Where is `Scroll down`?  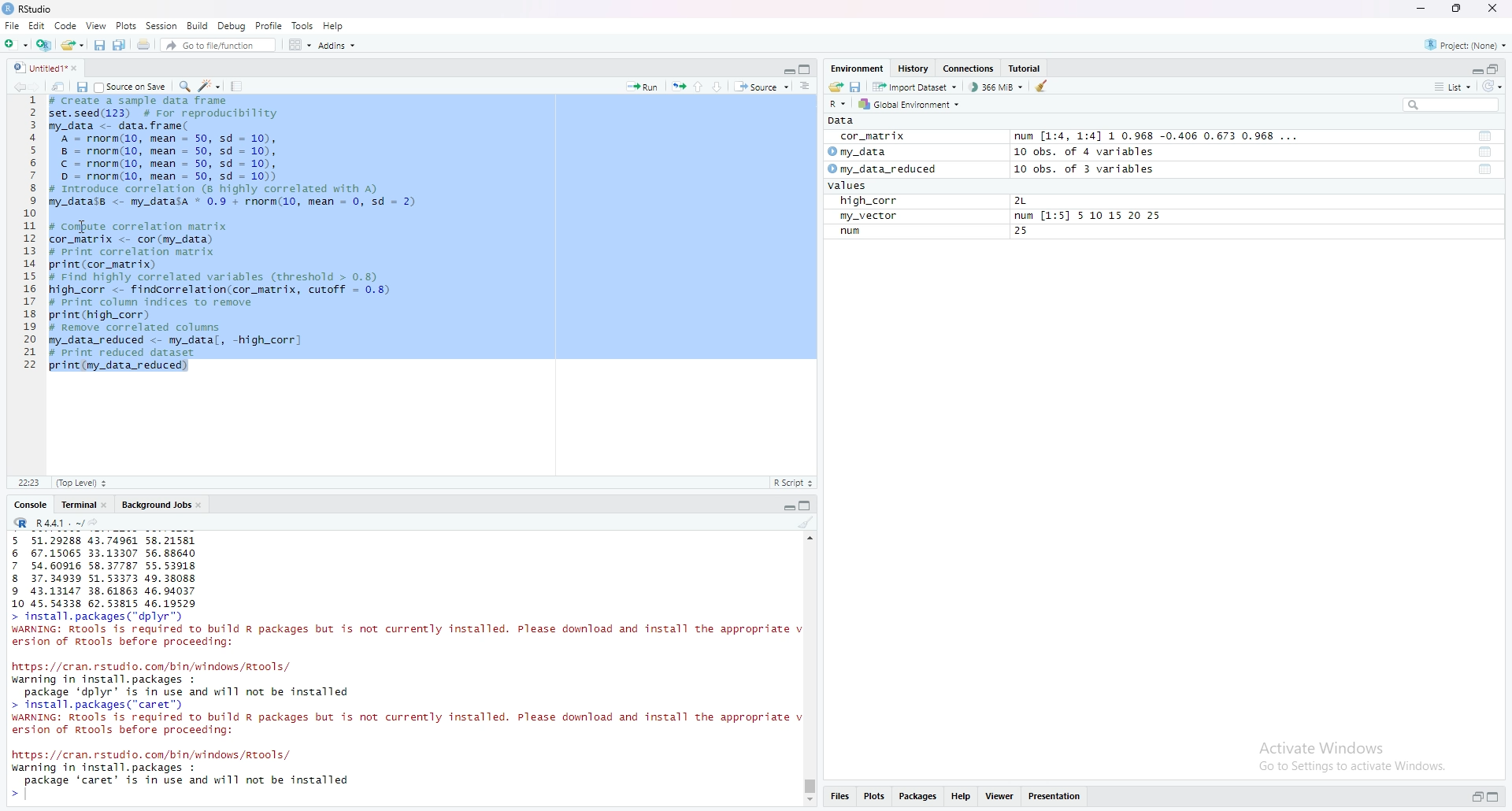 Scroll down is located at coordinates (812, 802).